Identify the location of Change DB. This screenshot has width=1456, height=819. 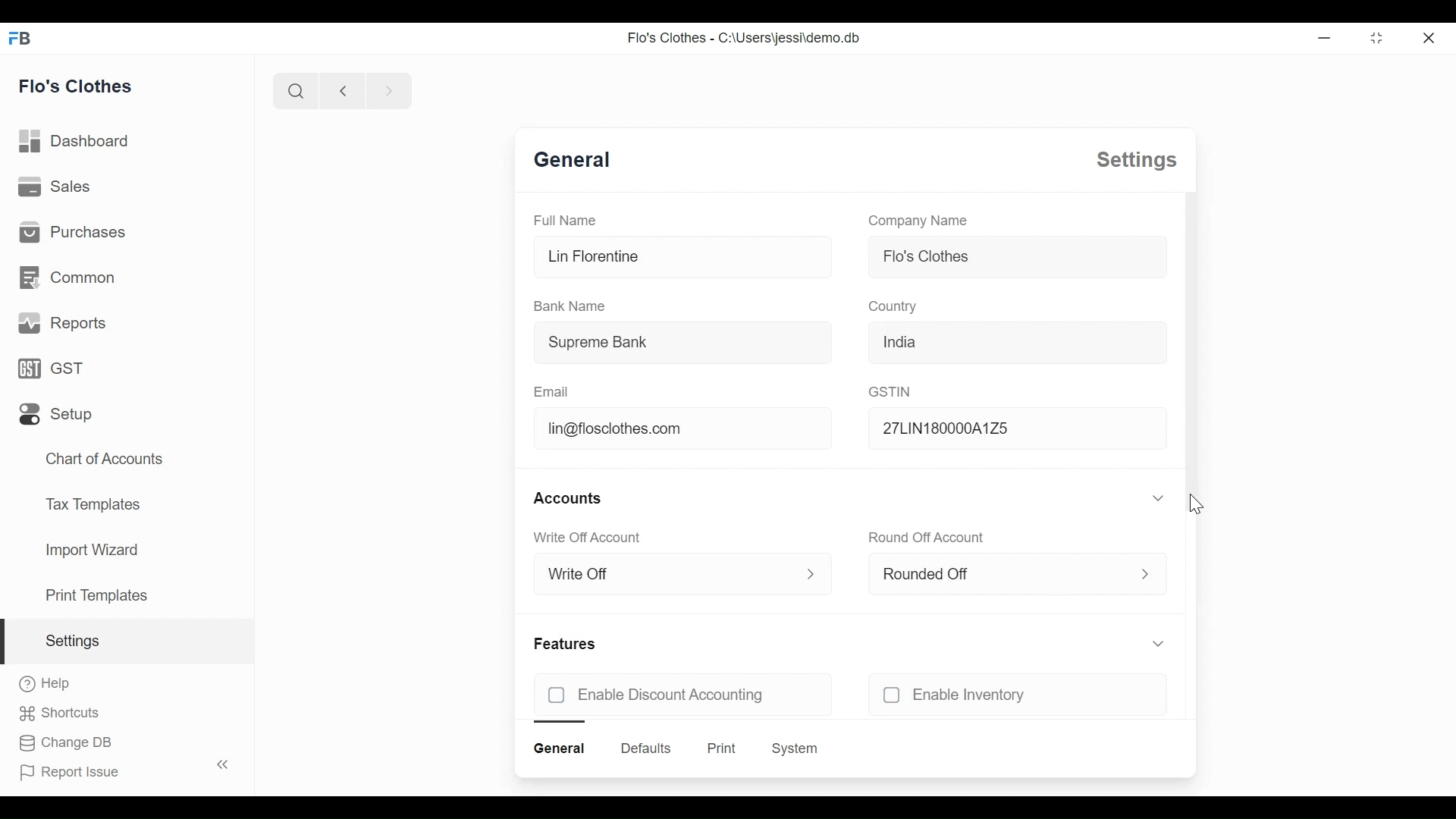
(66, 744).